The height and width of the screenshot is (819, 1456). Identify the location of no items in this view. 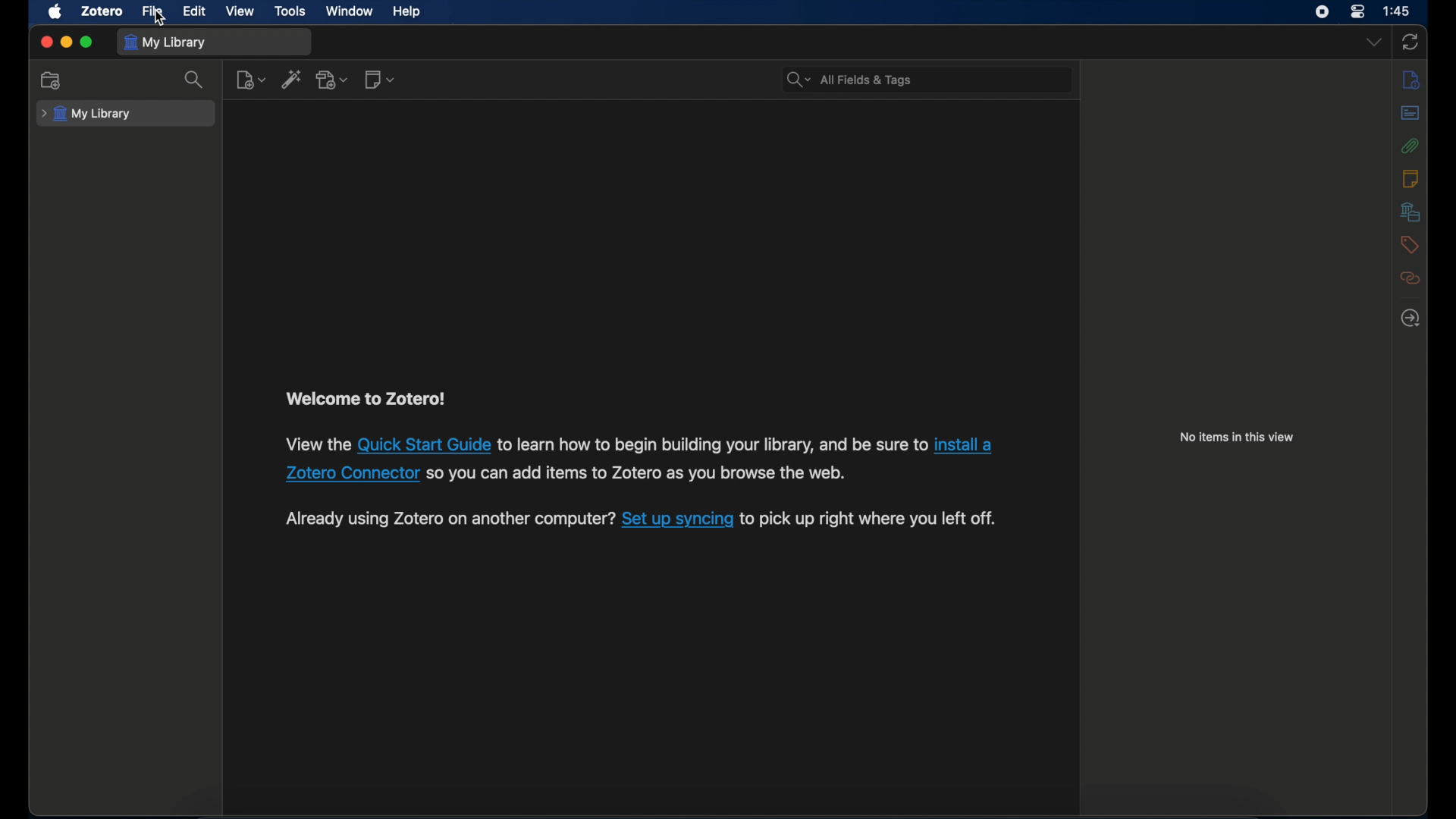
(1236, 437).